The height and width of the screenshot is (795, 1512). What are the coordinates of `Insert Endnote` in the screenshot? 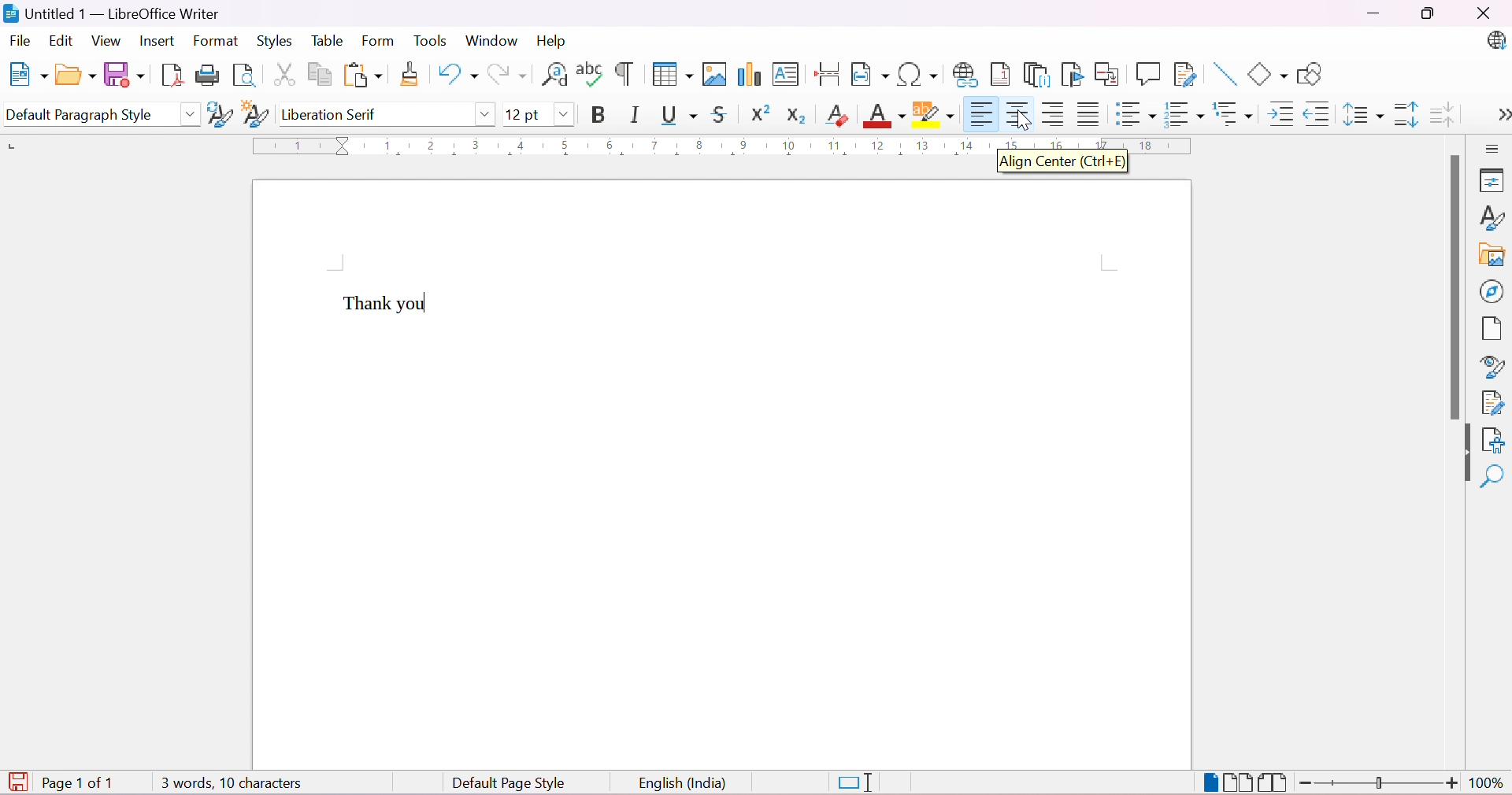 It's located at (1034, 75).